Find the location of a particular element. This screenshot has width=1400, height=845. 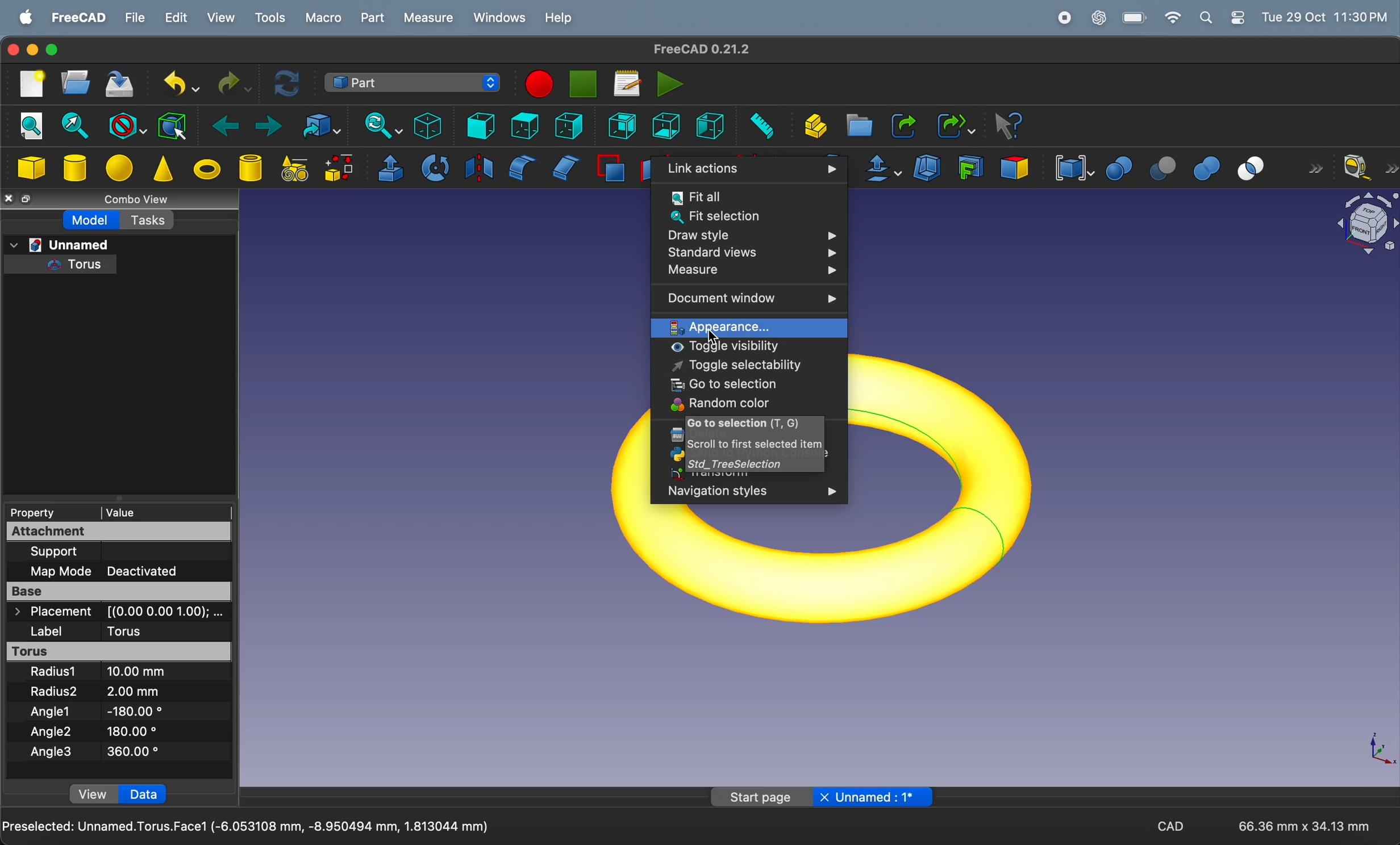

apple menu is located at coordinates (22, 16).